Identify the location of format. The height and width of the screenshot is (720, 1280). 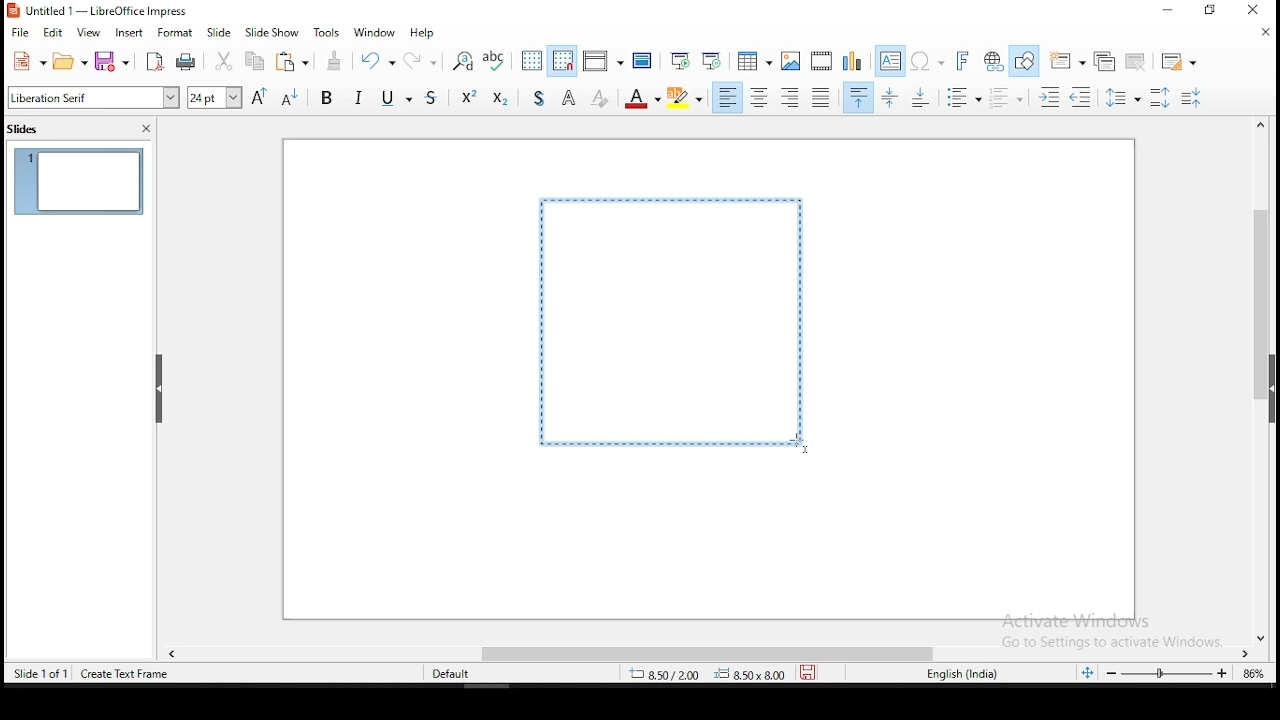
(175, 35).